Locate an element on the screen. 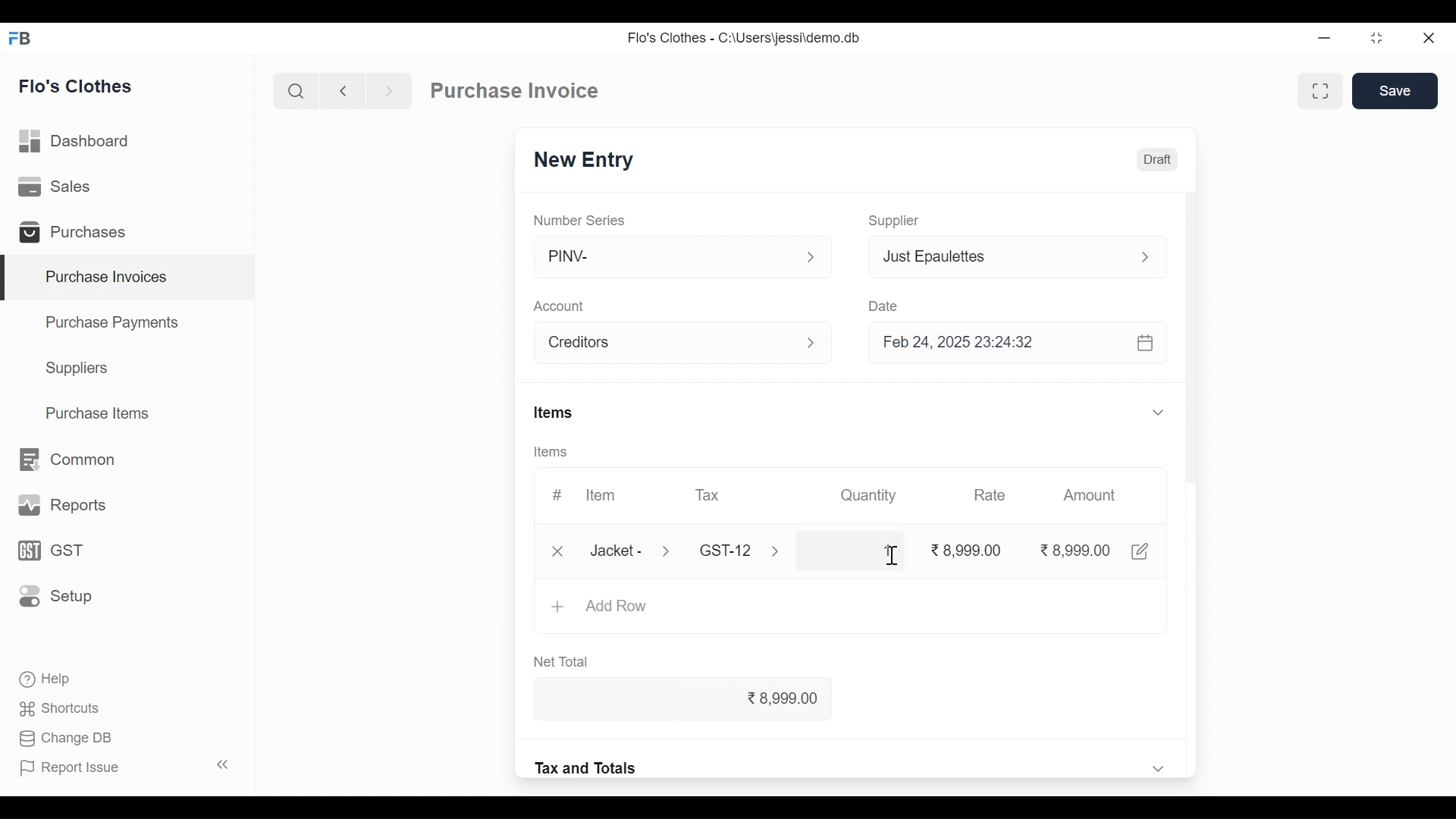 This screenshot has width=1456, height=819. Edit is located at coordinates (1141, 551).